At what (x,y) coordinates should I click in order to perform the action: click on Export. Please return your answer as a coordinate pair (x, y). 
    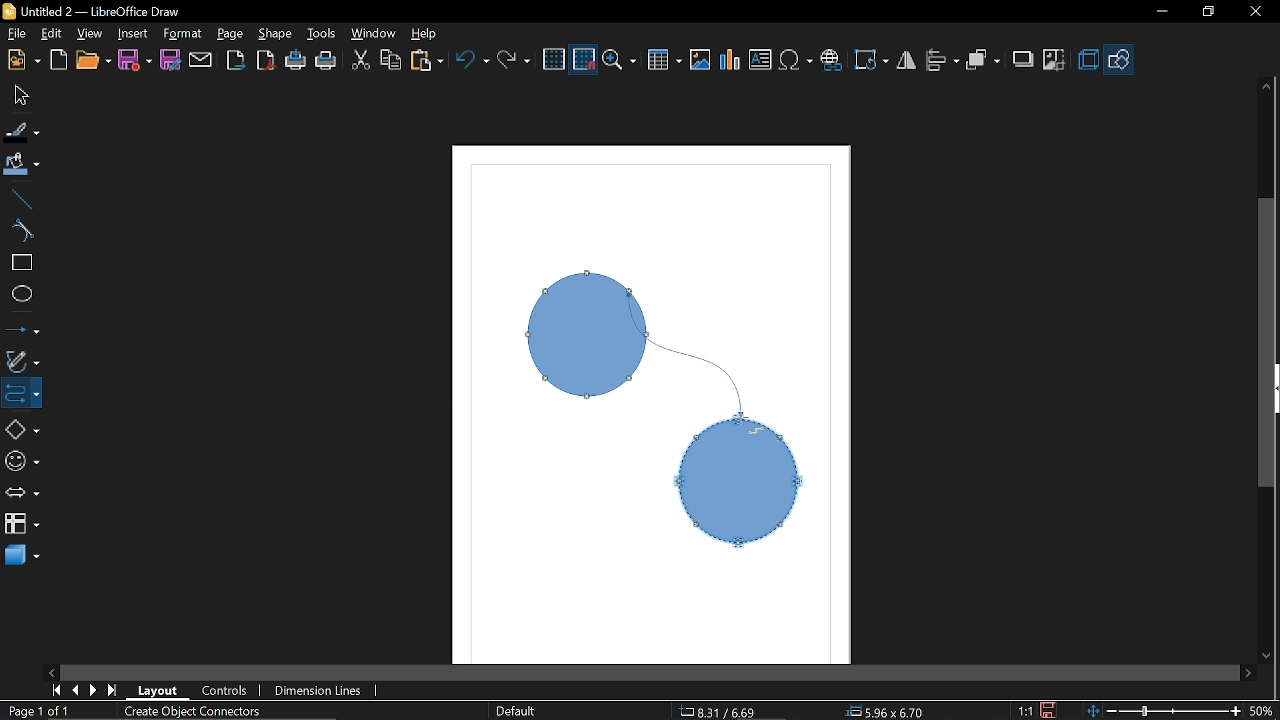
    Looking at the image, I should click on (237, 60).